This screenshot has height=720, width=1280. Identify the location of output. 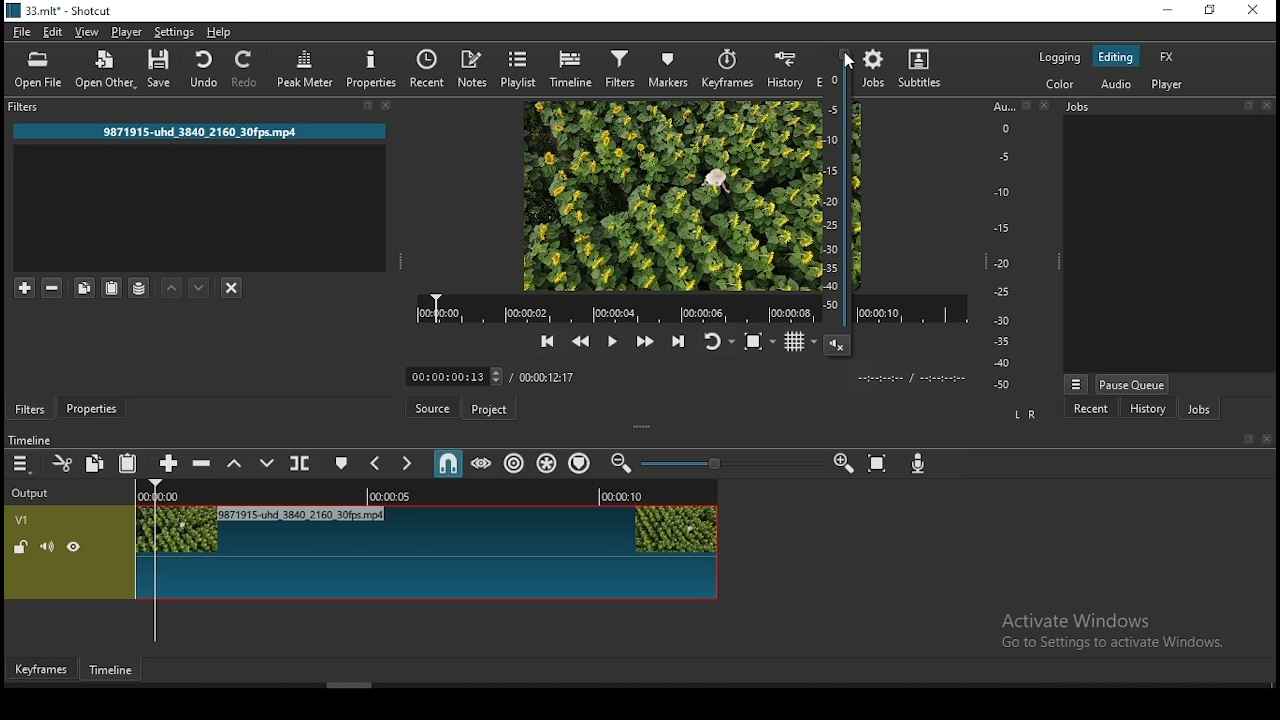
(33, 495).